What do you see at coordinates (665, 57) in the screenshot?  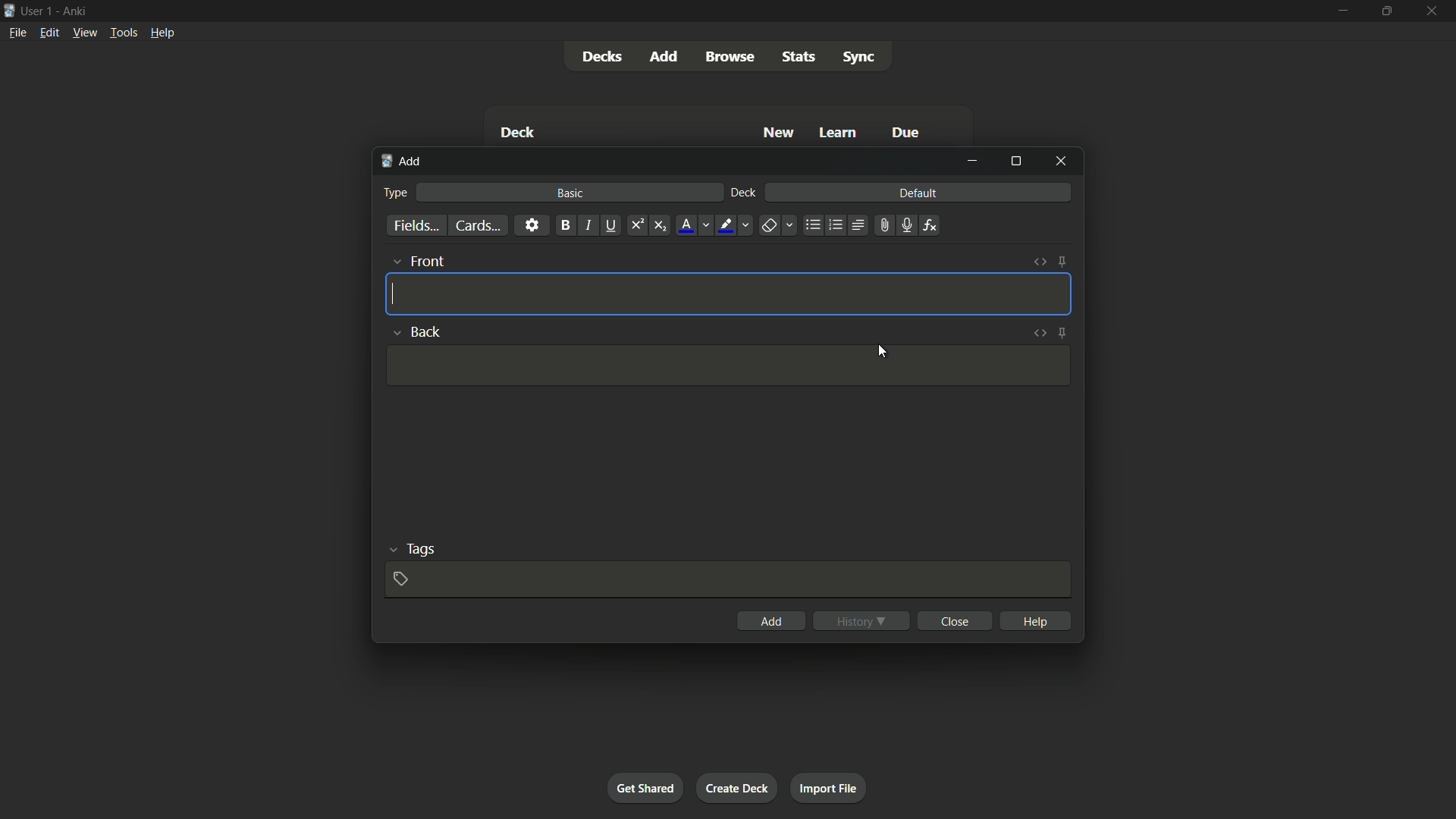 I see `add` at bounding box center [665, 57].